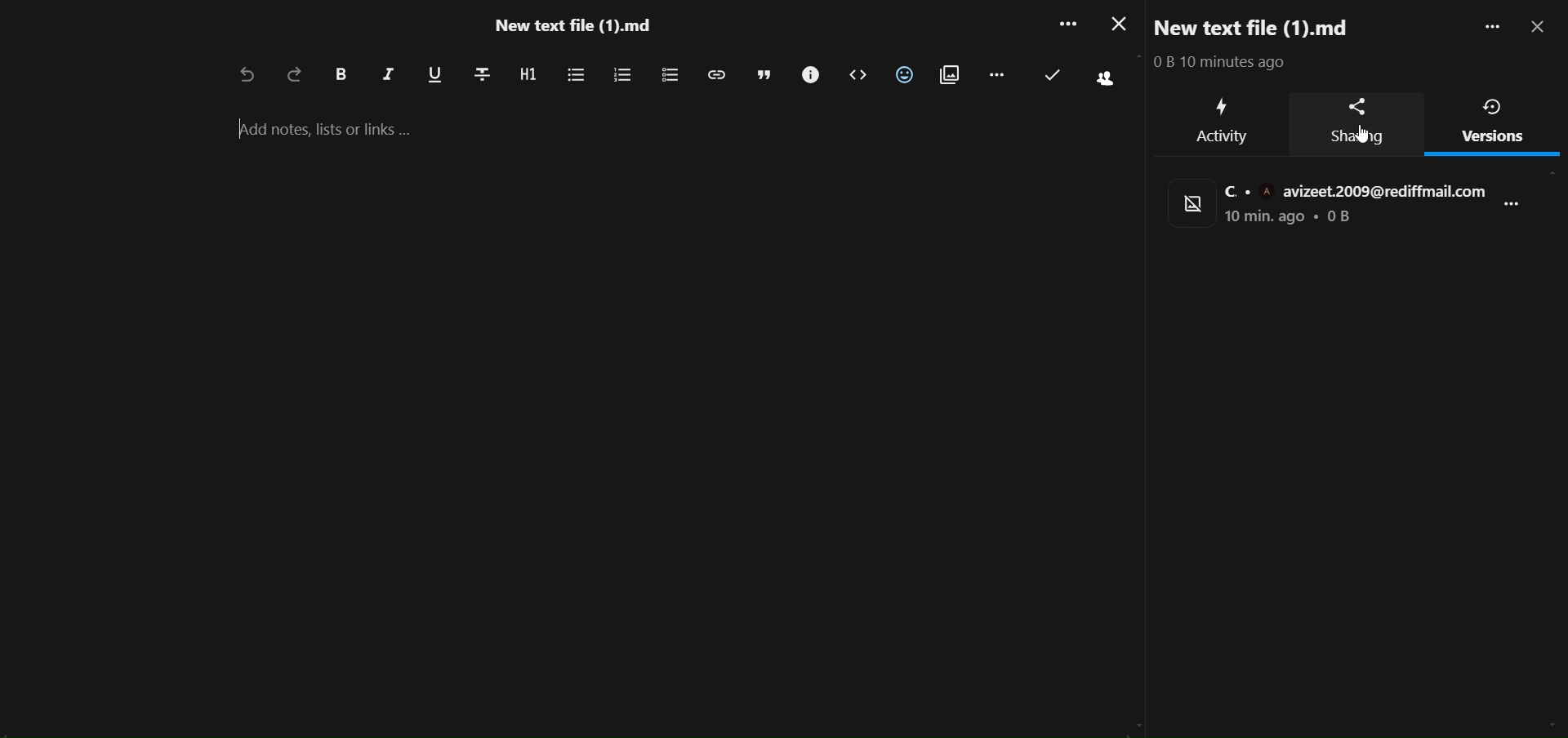 This screenshot has width=1568, height=738. I want to click on strikethrough, so click(481, 73).